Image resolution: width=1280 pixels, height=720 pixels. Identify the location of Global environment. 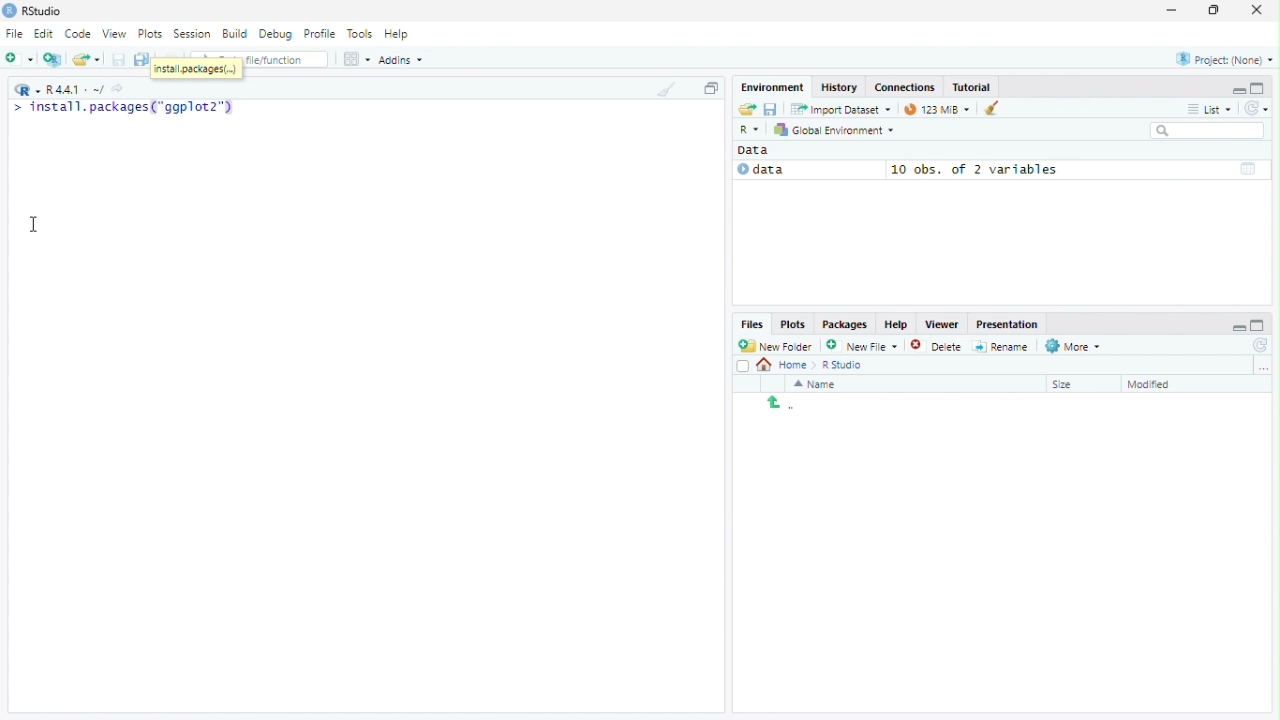
(835, 130).